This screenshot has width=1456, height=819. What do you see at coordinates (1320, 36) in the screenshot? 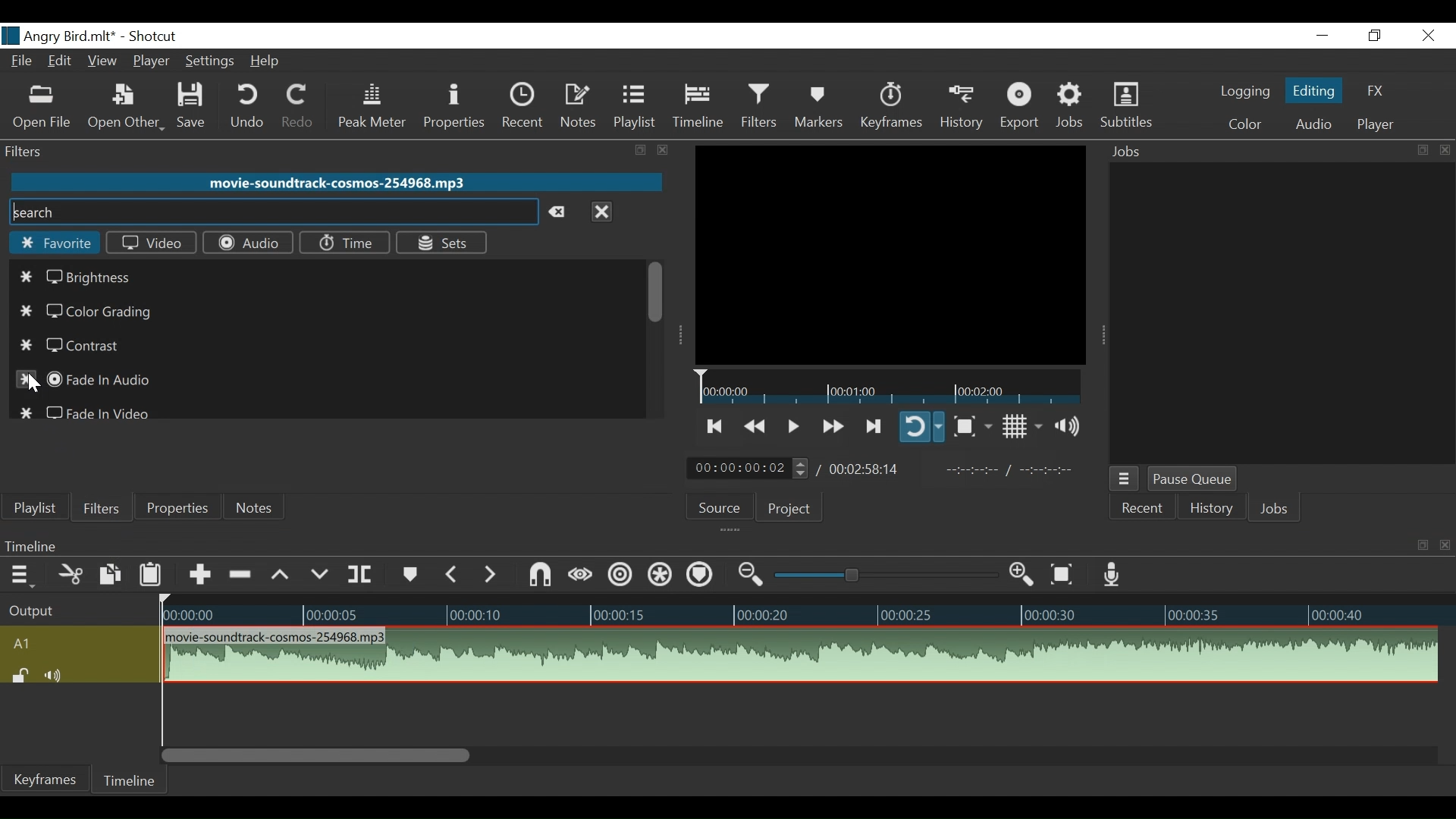
I see `minimize` at bounding box center [1320, 36].